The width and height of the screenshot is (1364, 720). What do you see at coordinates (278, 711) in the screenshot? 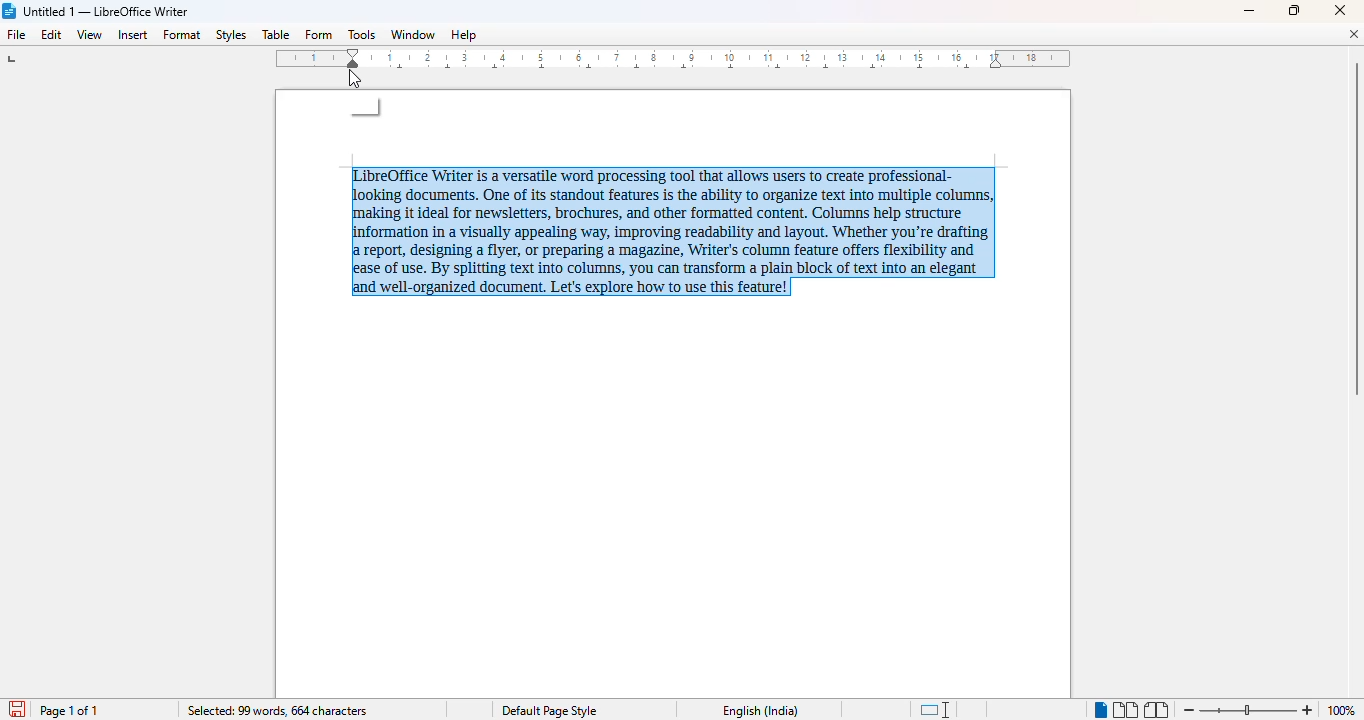
I see `selected: 99 words 664 characters` at bounding box center [278, 711].